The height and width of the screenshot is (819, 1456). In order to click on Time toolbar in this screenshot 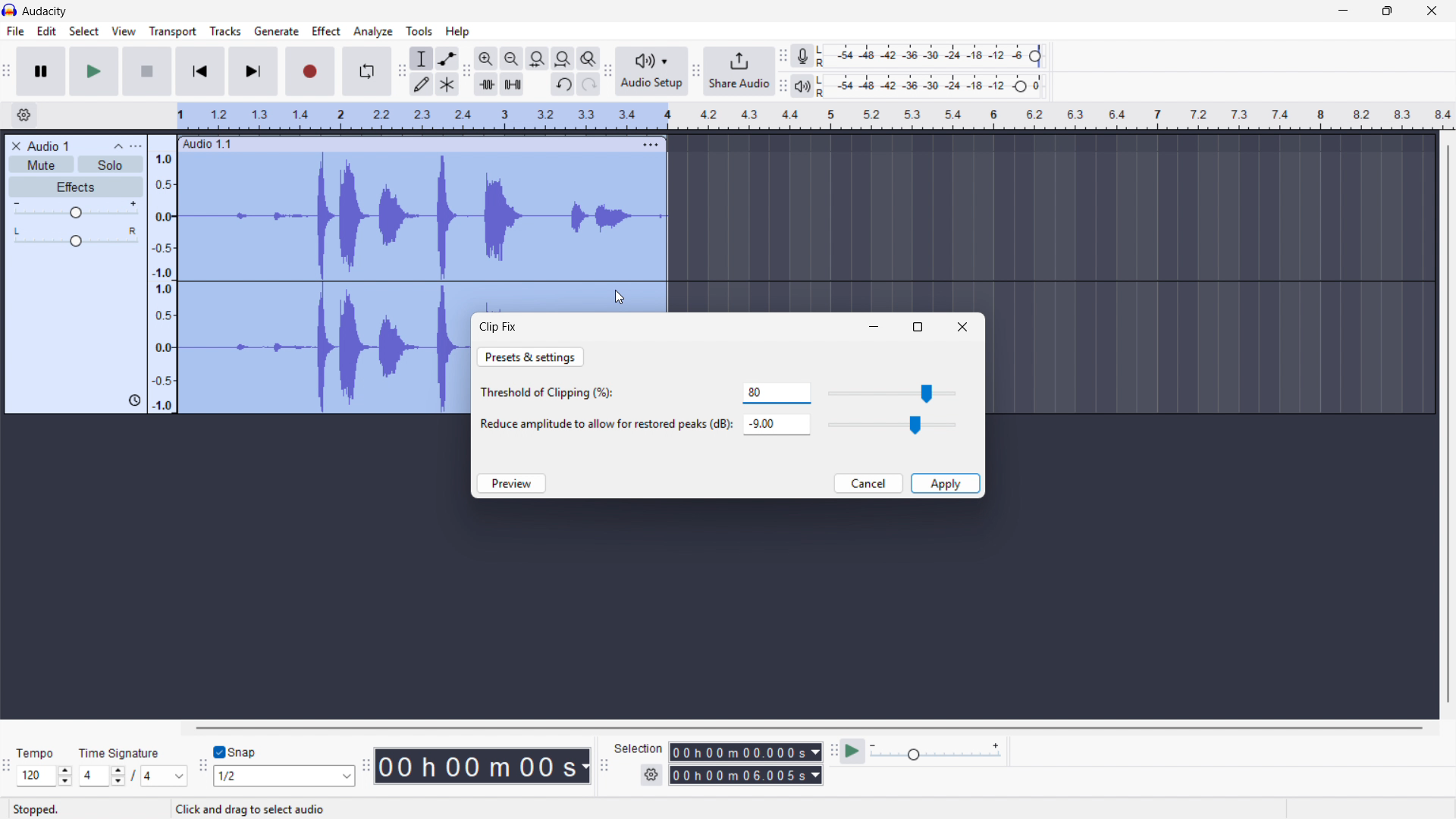, I will do `click(365, 767)`.